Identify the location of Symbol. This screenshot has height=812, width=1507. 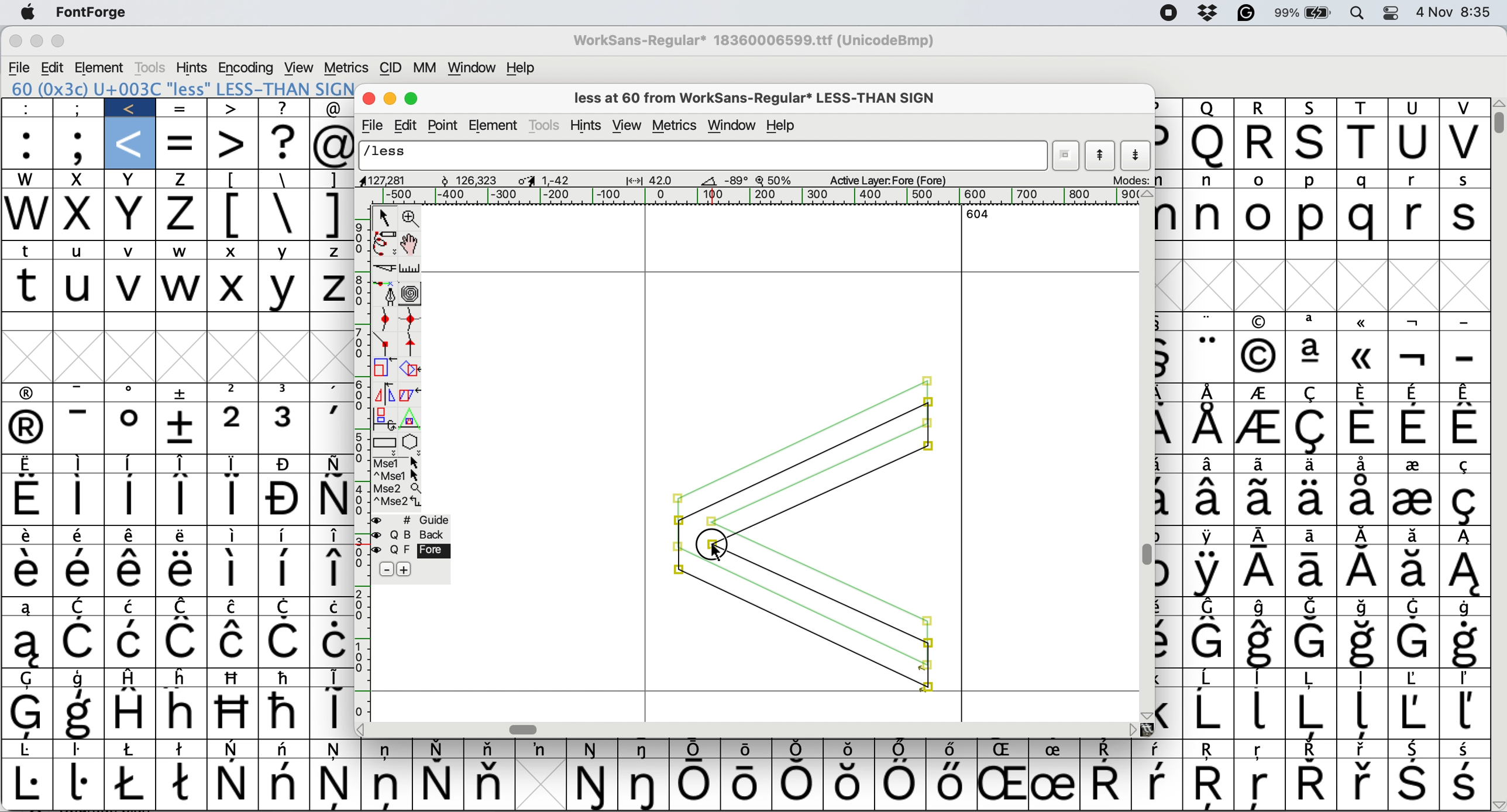
(1361, 713).